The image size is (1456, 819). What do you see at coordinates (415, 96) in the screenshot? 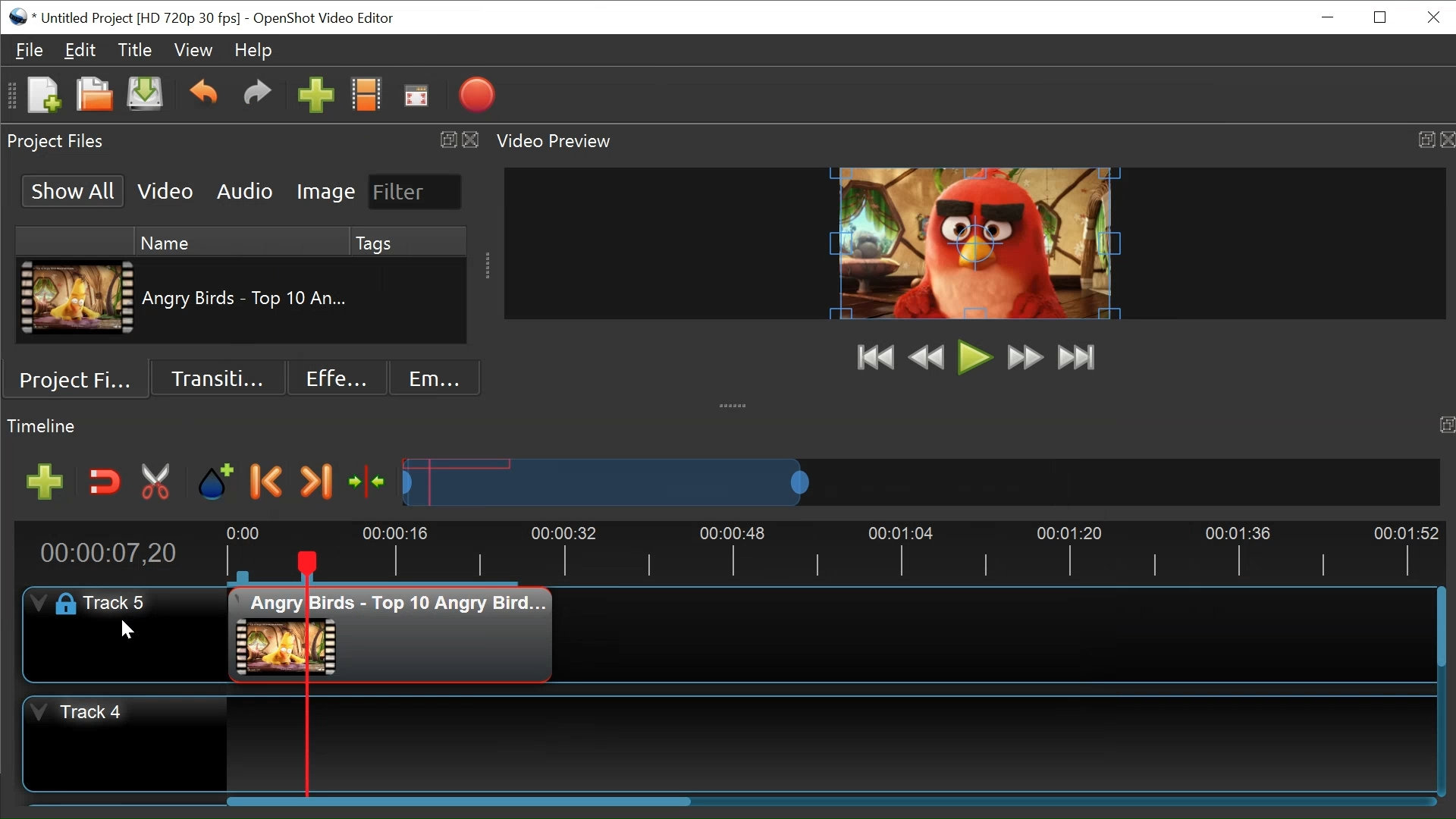
I see `Fullscreen` at bounding box center [415, 96].